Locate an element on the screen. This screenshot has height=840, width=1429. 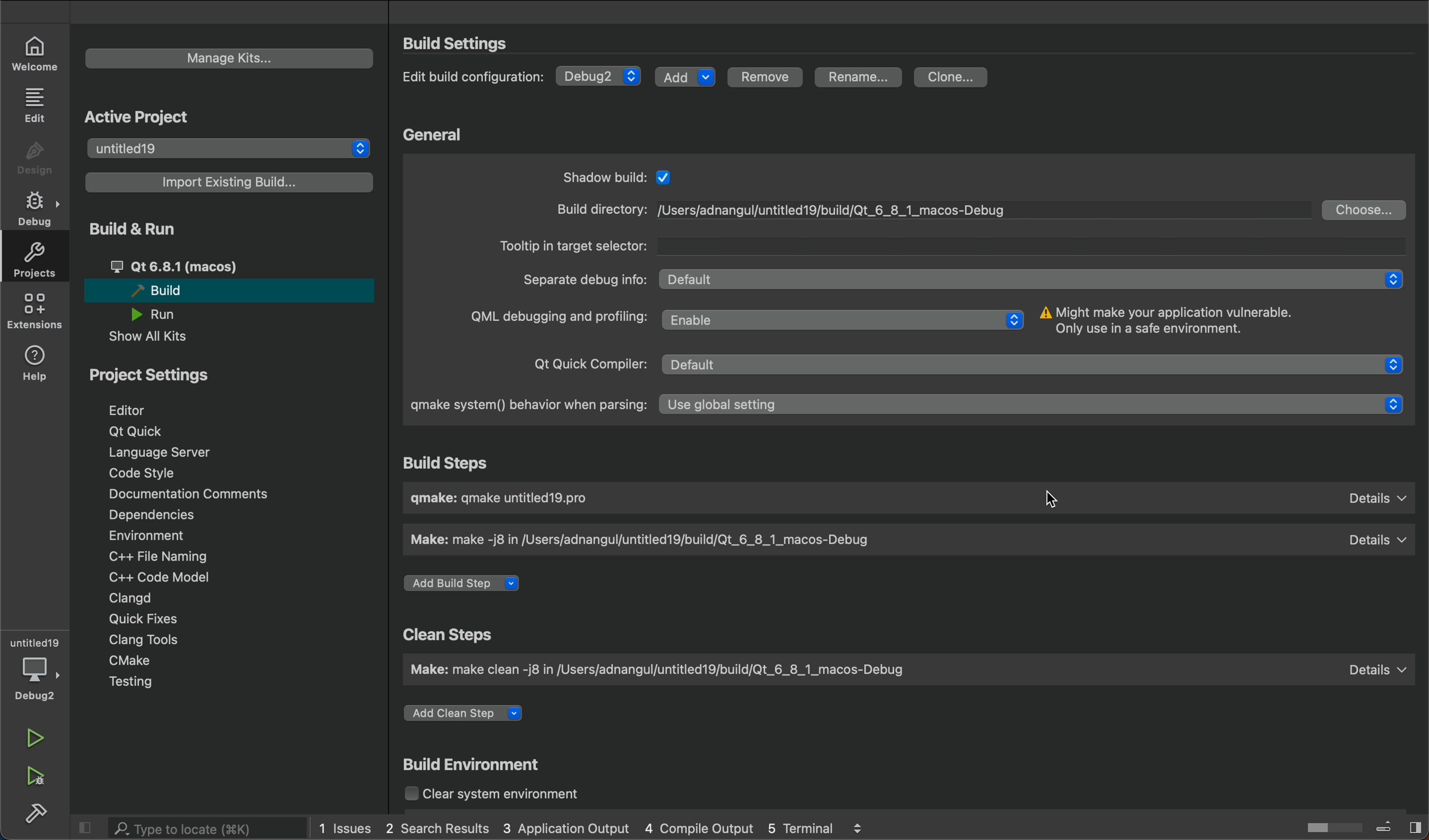
quick fixes is located at coordinates (139, 618).